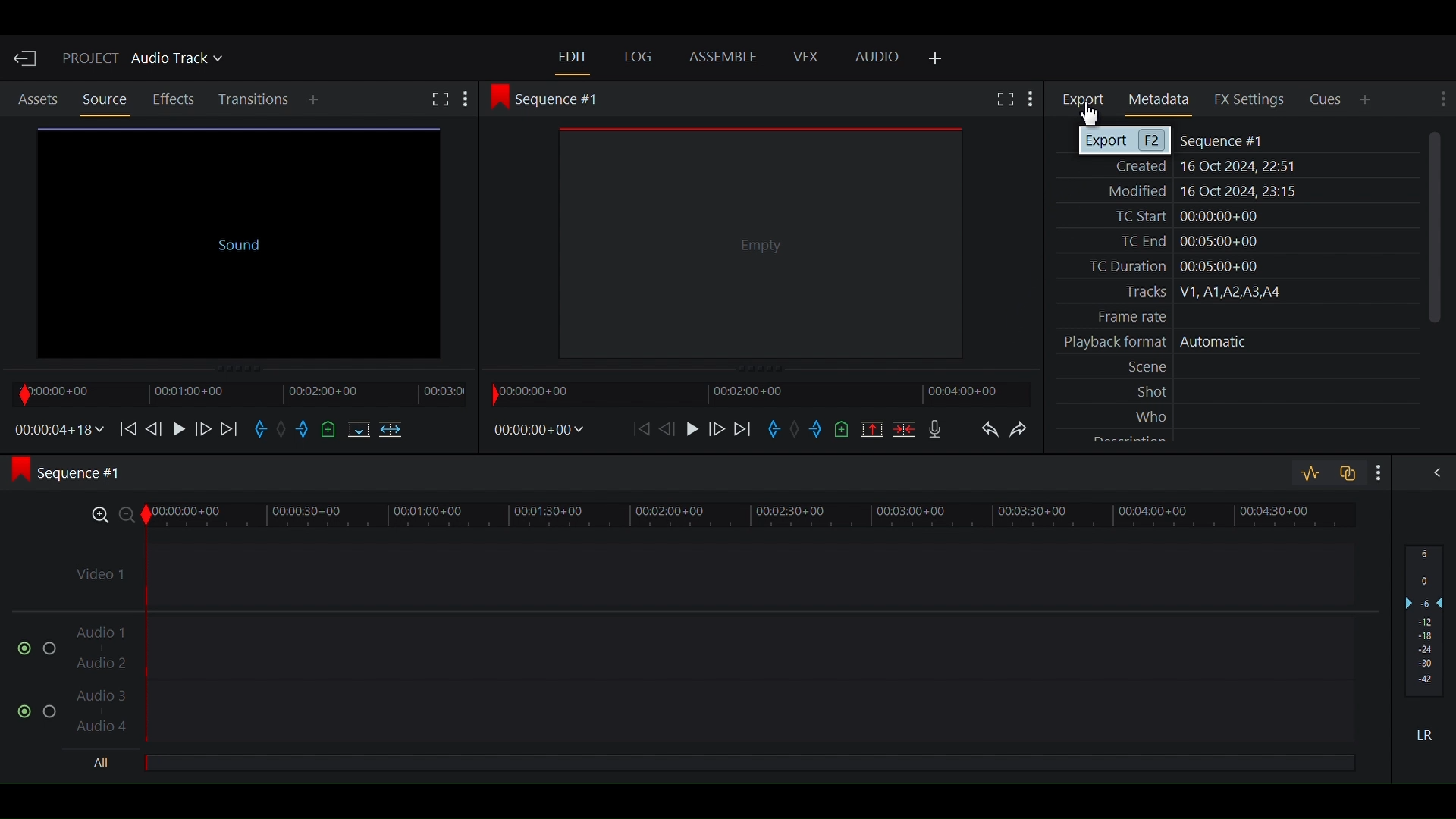 Image resolution: width=1456 pixels, height=819 pixels. Describe the element at coordinates (1194, 190) in the screenshot. I see `Modified 16 Oct 2024, 23:15` at that location.